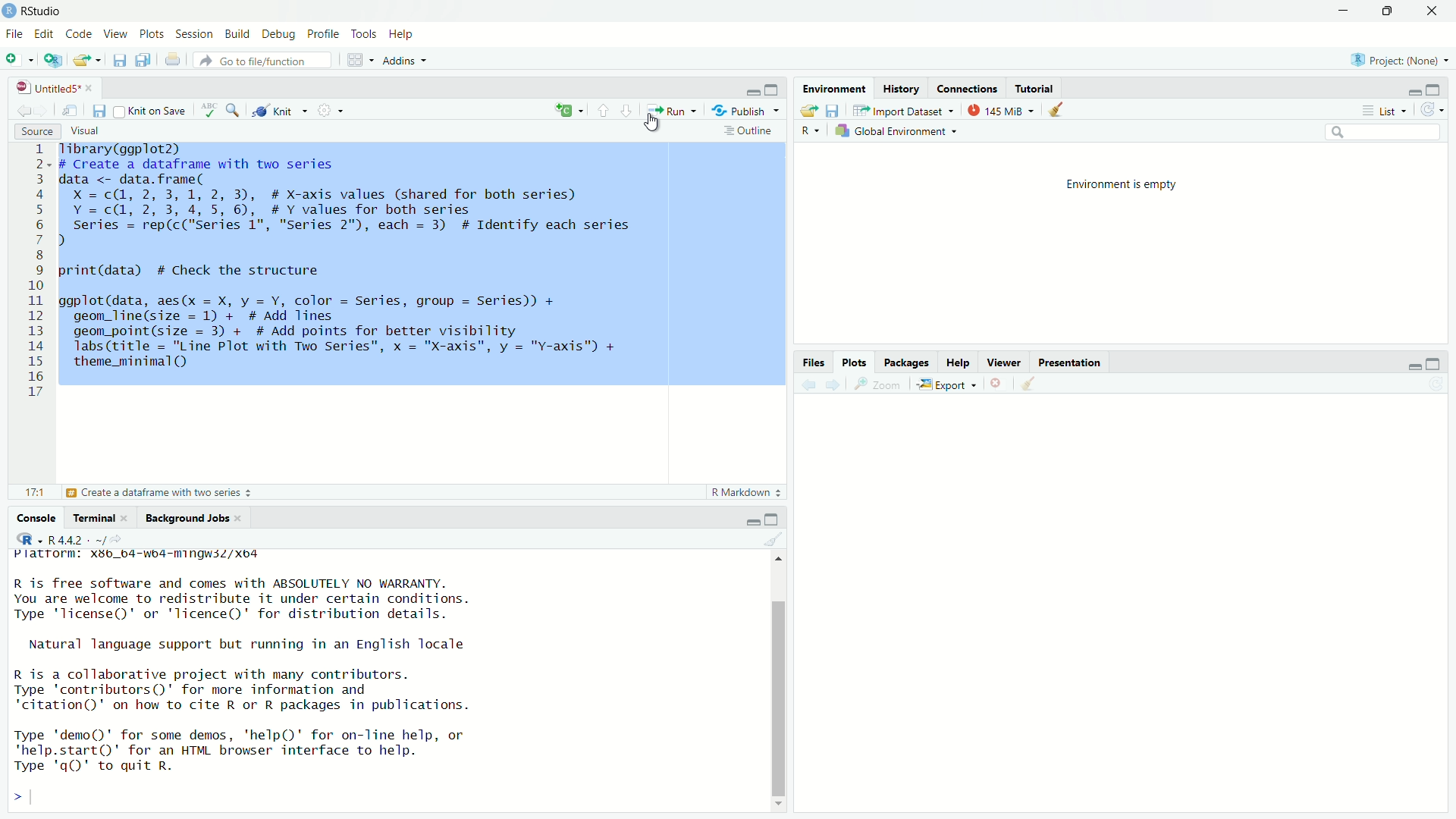 The width and height of the screenshot is (1456, 819). I want to click on Console, so click(36, 517).